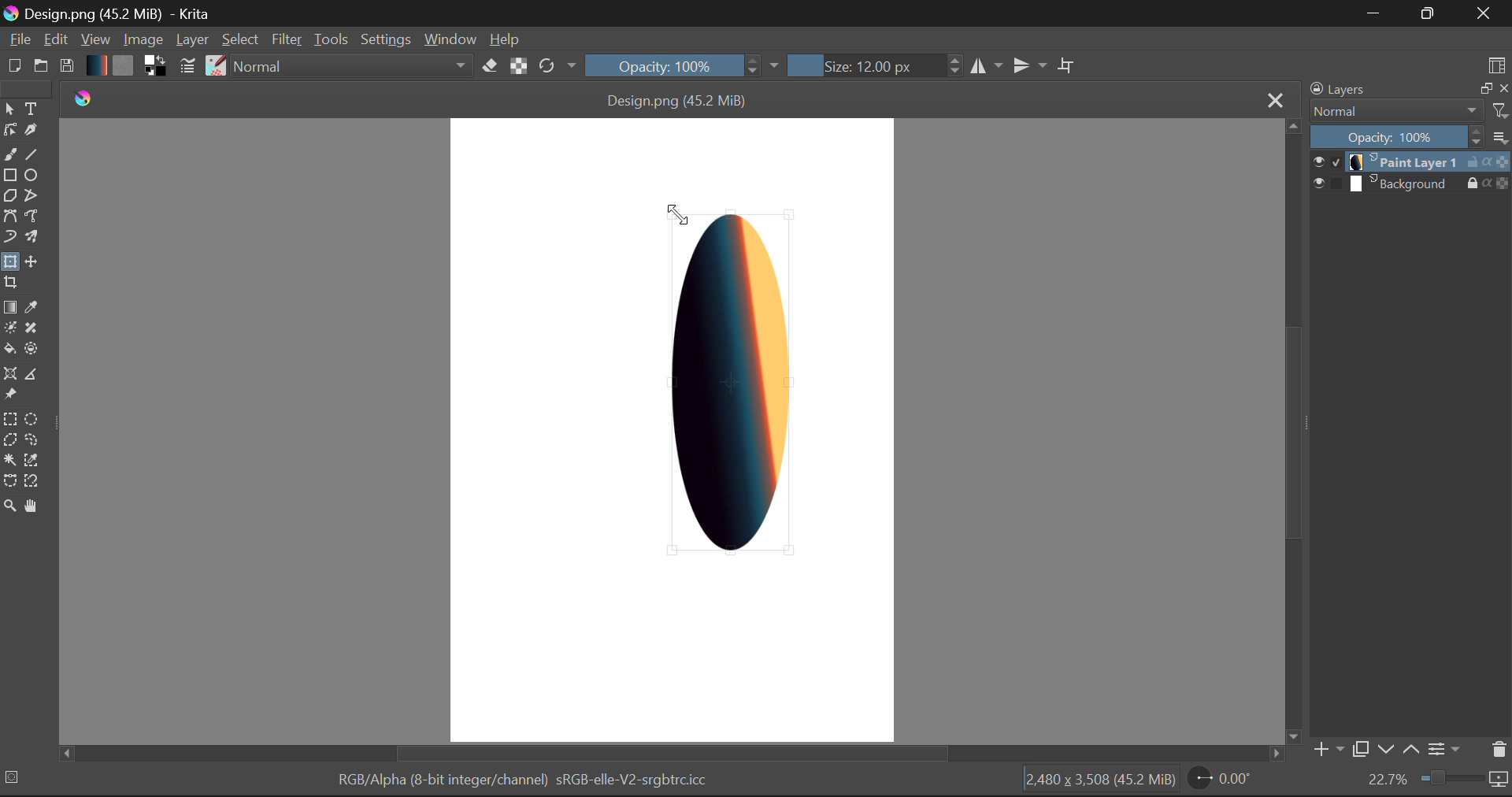 Image resolution: width=1512 pixels, height=797 pixels. What do you see at coordinates (384, 39) in the screenshot?
I see `Settings` at bounding box center [384, 39].